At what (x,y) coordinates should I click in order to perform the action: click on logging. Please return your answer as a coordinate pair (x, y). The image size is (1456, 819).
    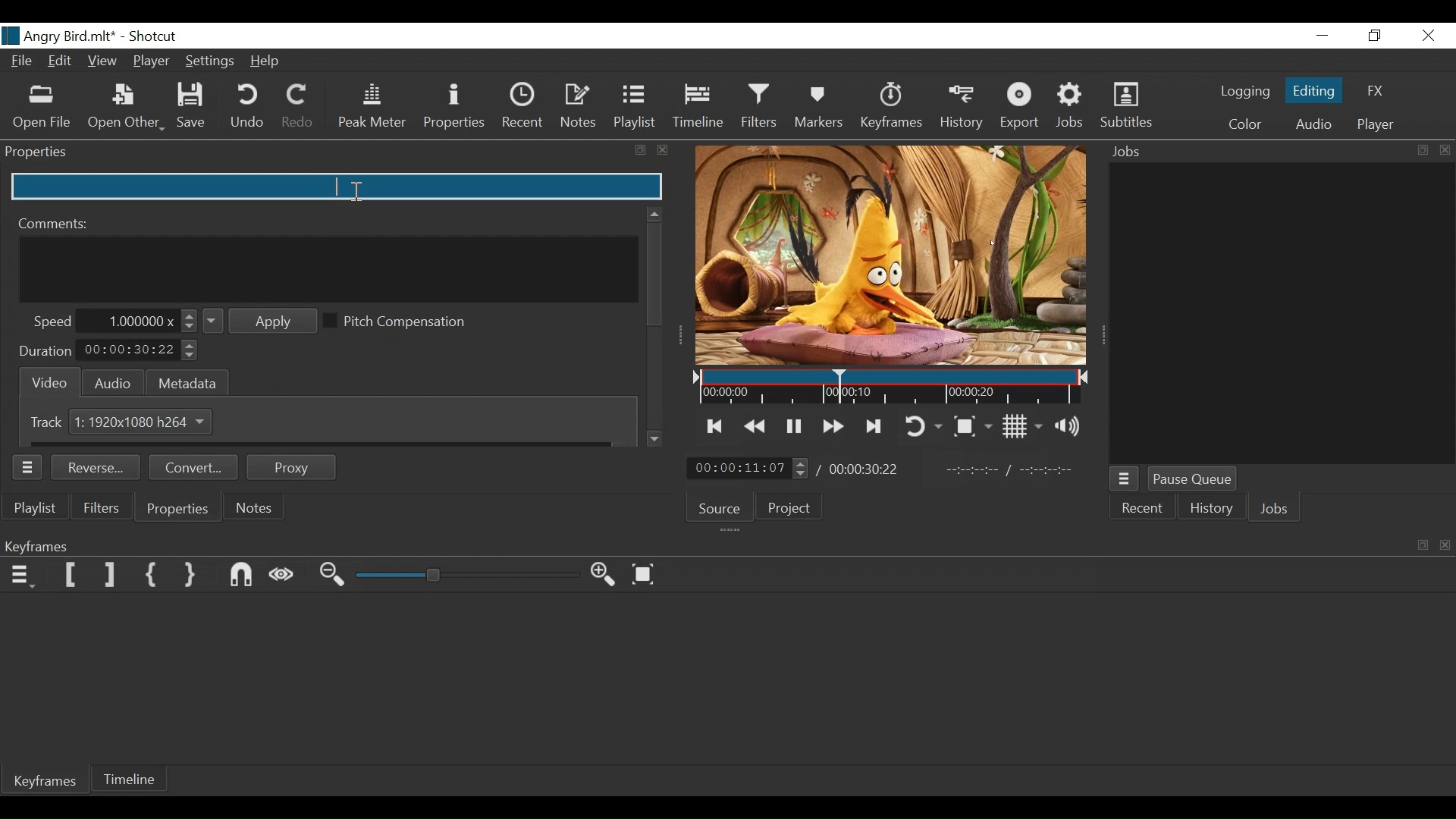
    Looking at the image, I should click on (1239, 93).